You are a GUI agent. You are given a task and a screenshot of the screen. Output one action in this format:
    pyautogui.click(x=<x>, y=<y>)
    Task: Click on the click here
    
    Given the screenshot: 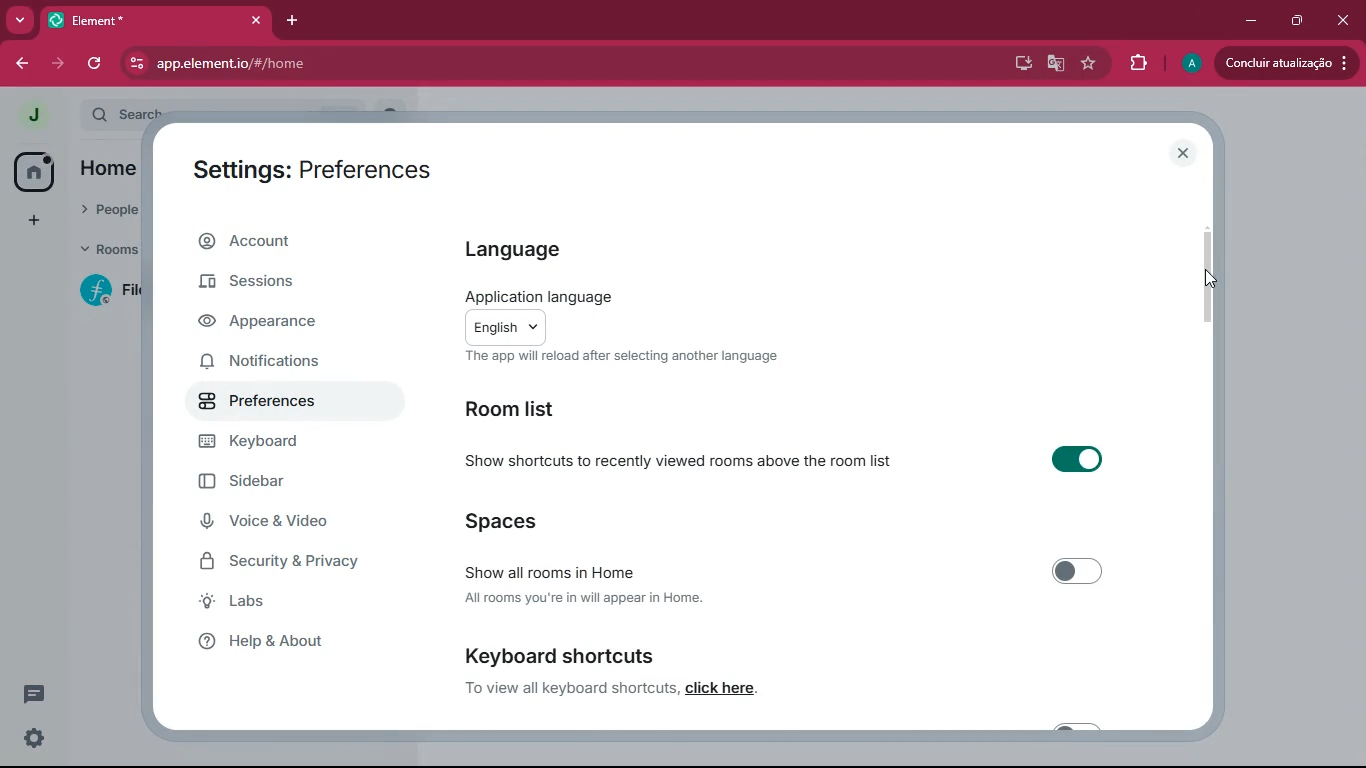 What is the action you would take?
    pyautogui.click(x=727, y=690)
    